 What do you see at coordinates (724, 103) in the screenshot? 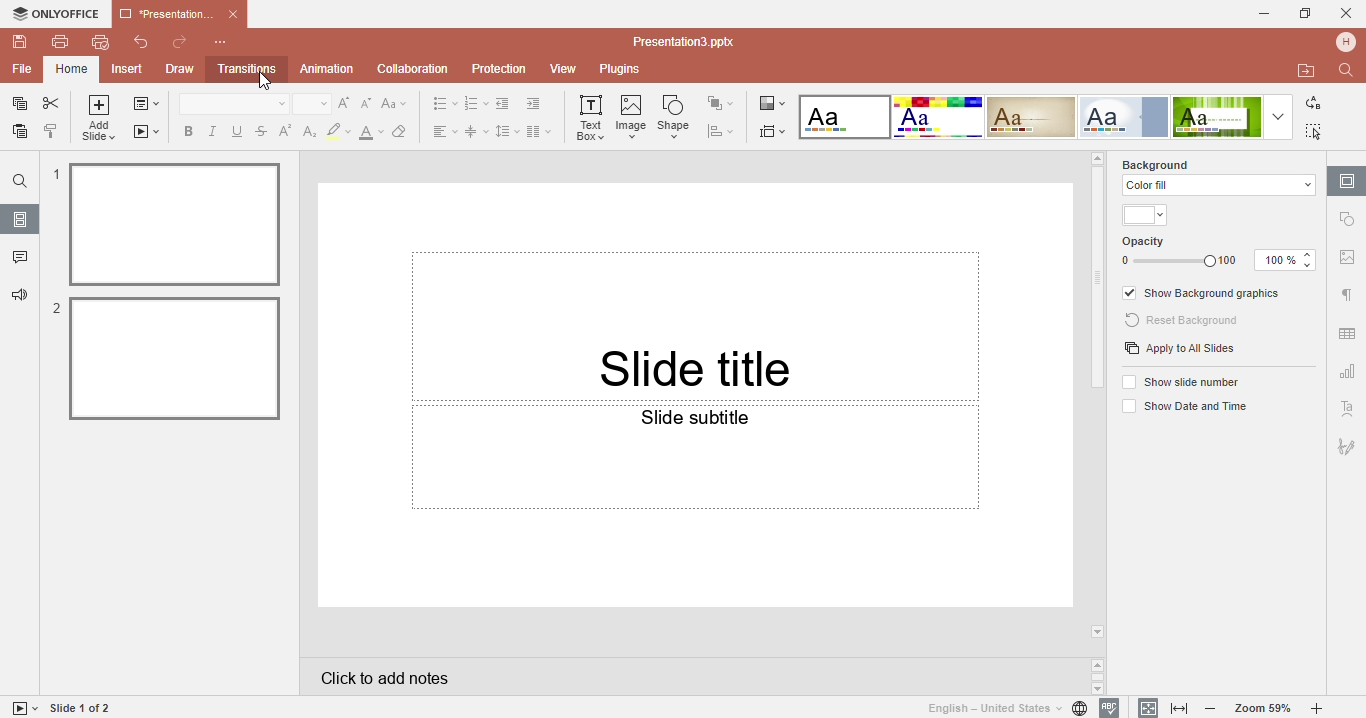
I see `Arrange shape` at bounding box center [724, 103].